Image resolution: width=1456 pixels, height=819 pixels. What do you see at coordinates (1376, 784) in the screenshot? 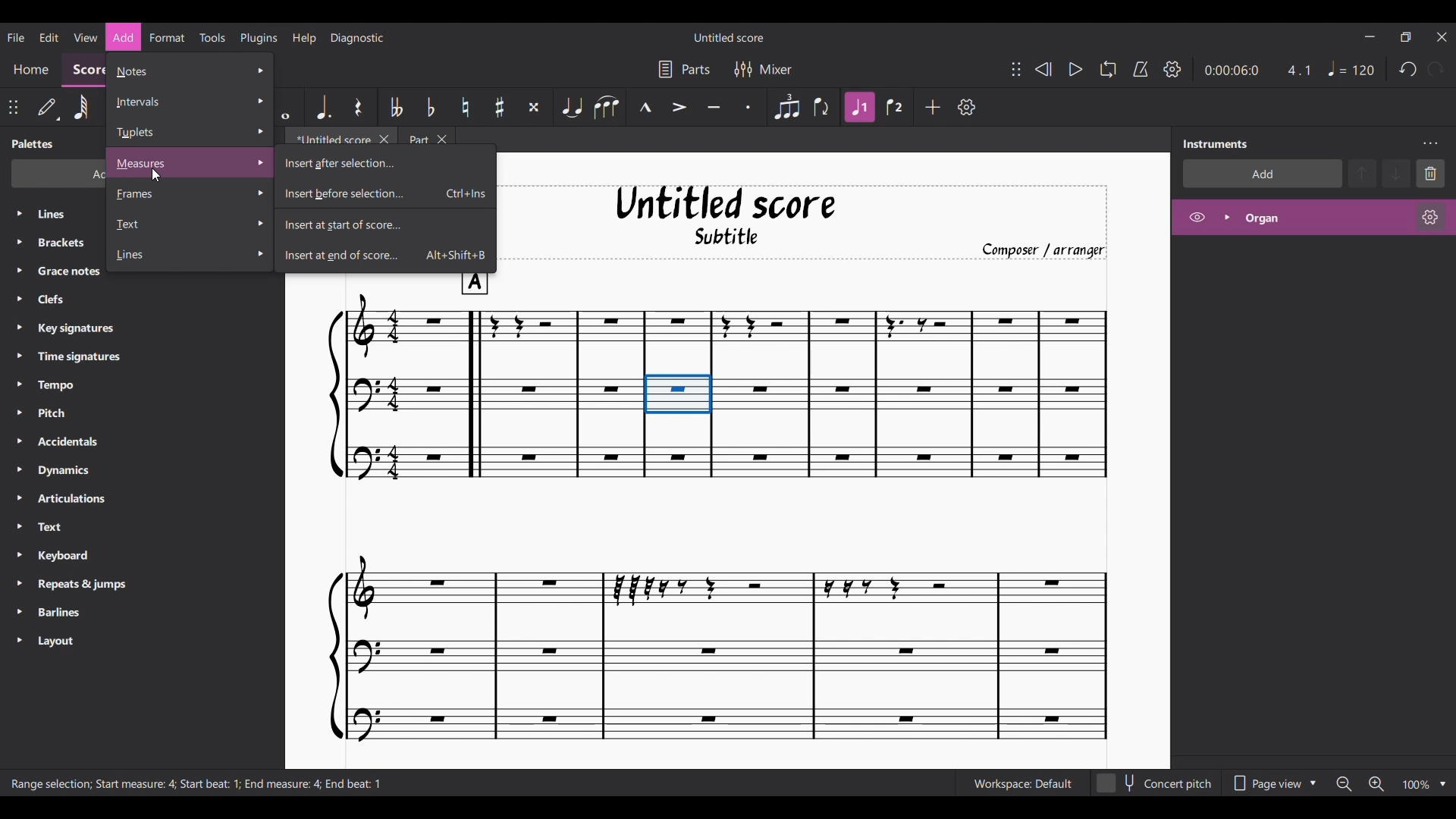
I see `Zoom in` at bounding box center [1376, 784].